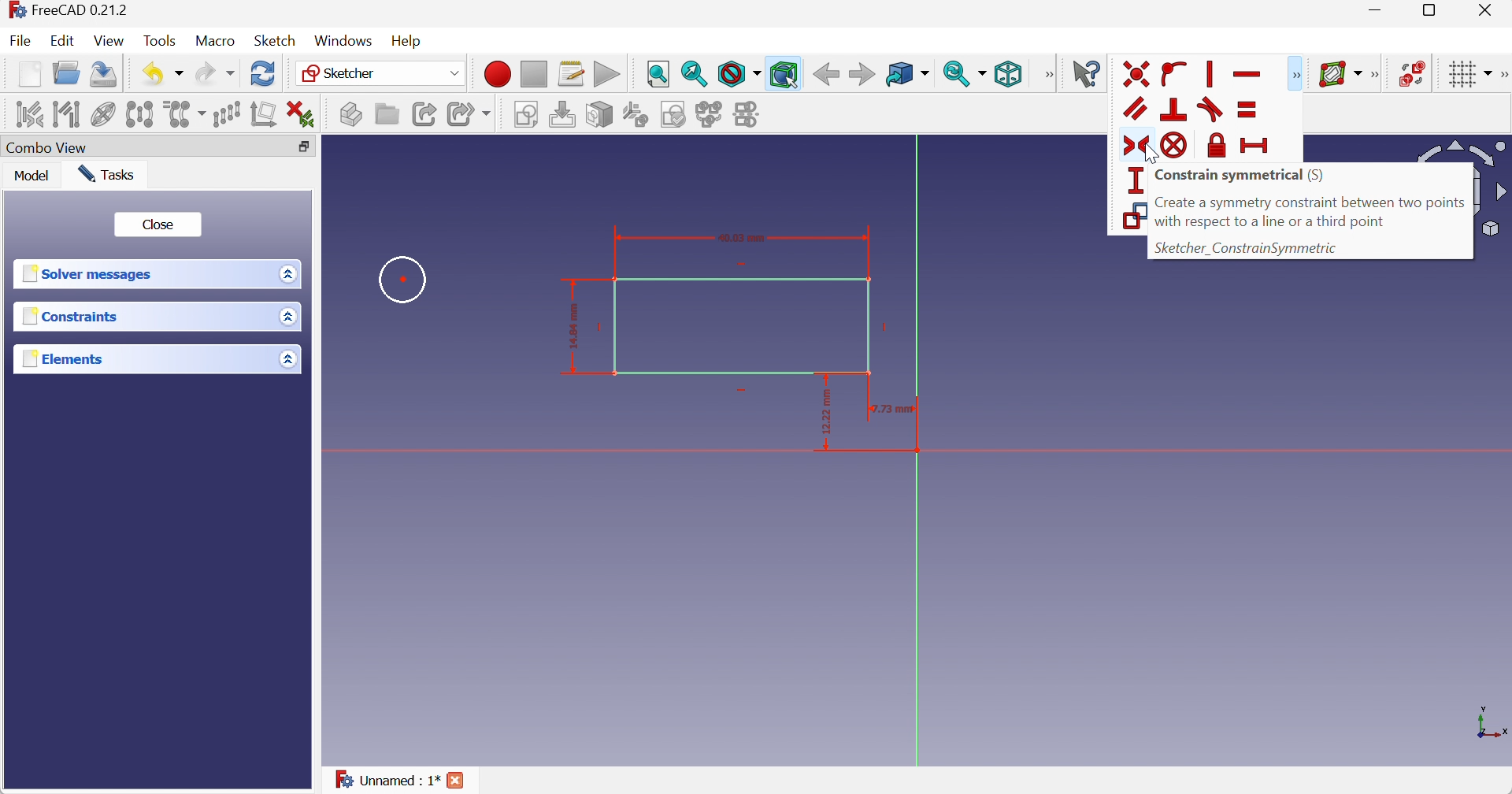 Image resolution: width=1512 pixels, height=794 pixels. I want to click on Make sub-link, so click(470, 114).